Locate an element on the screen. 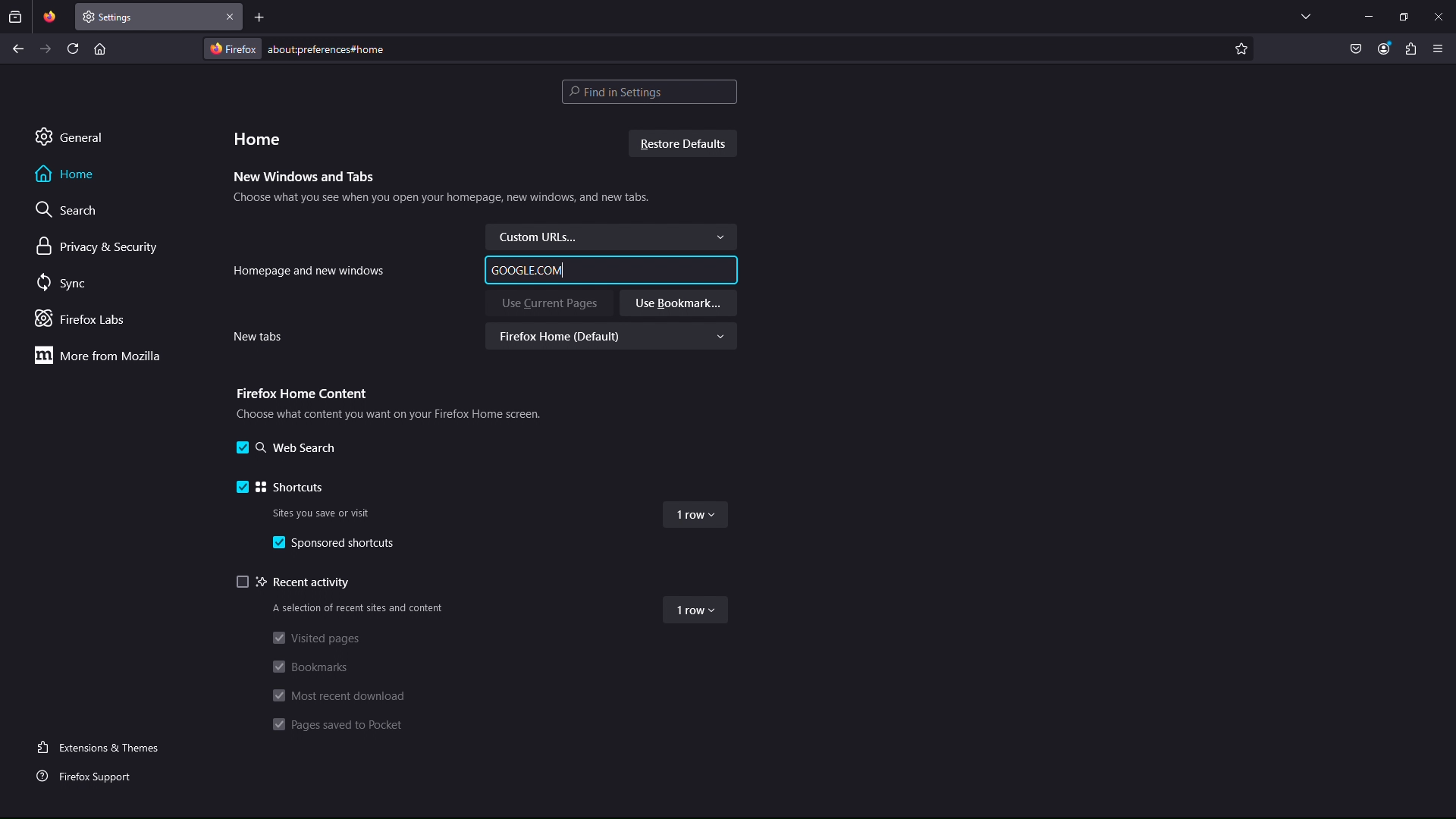 This screenshot has width=1456, height=819. Account is located at coordinates (1384, 50).